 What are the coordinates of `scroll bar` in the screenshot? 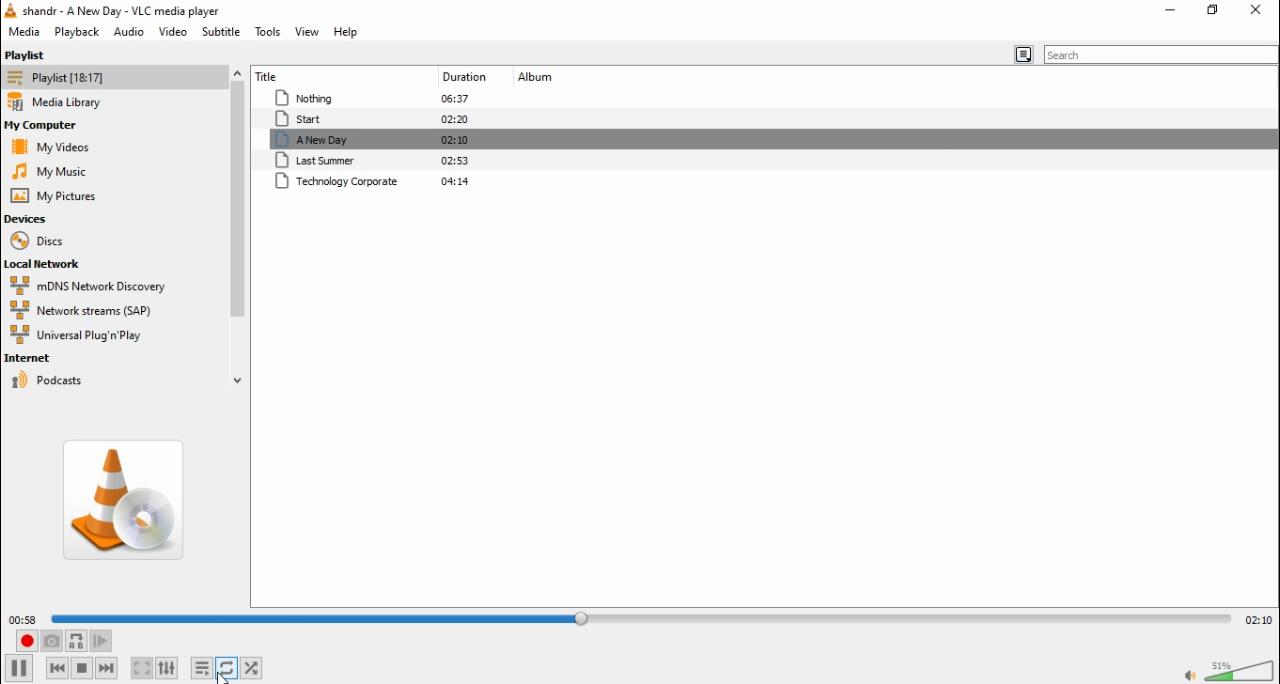 It's located at (239, 225).